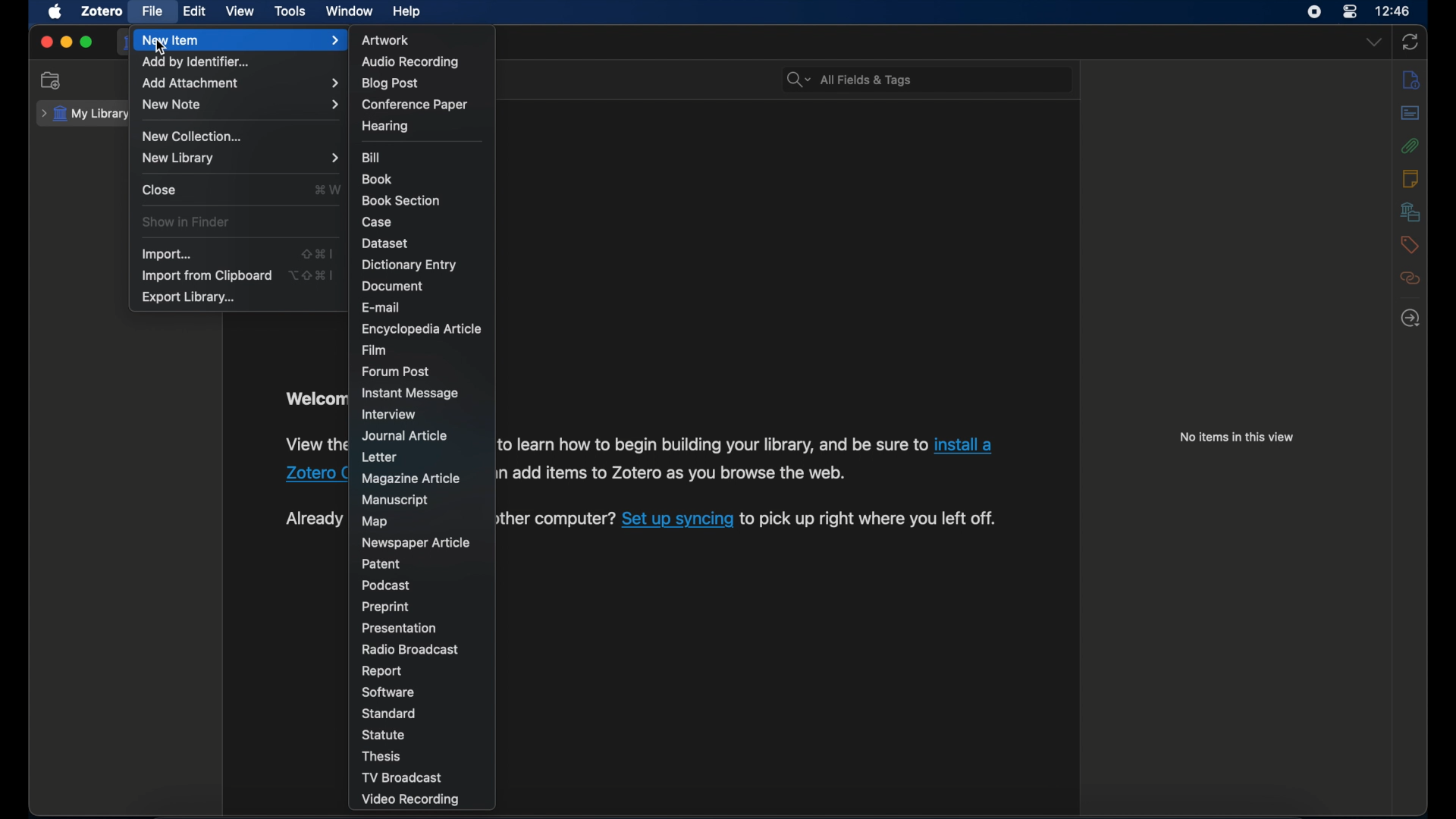 The height and width of the screenshot is (819, 1456). Describe the element at coordinates (349, 11) in the screenshot. I see `window` at that location.